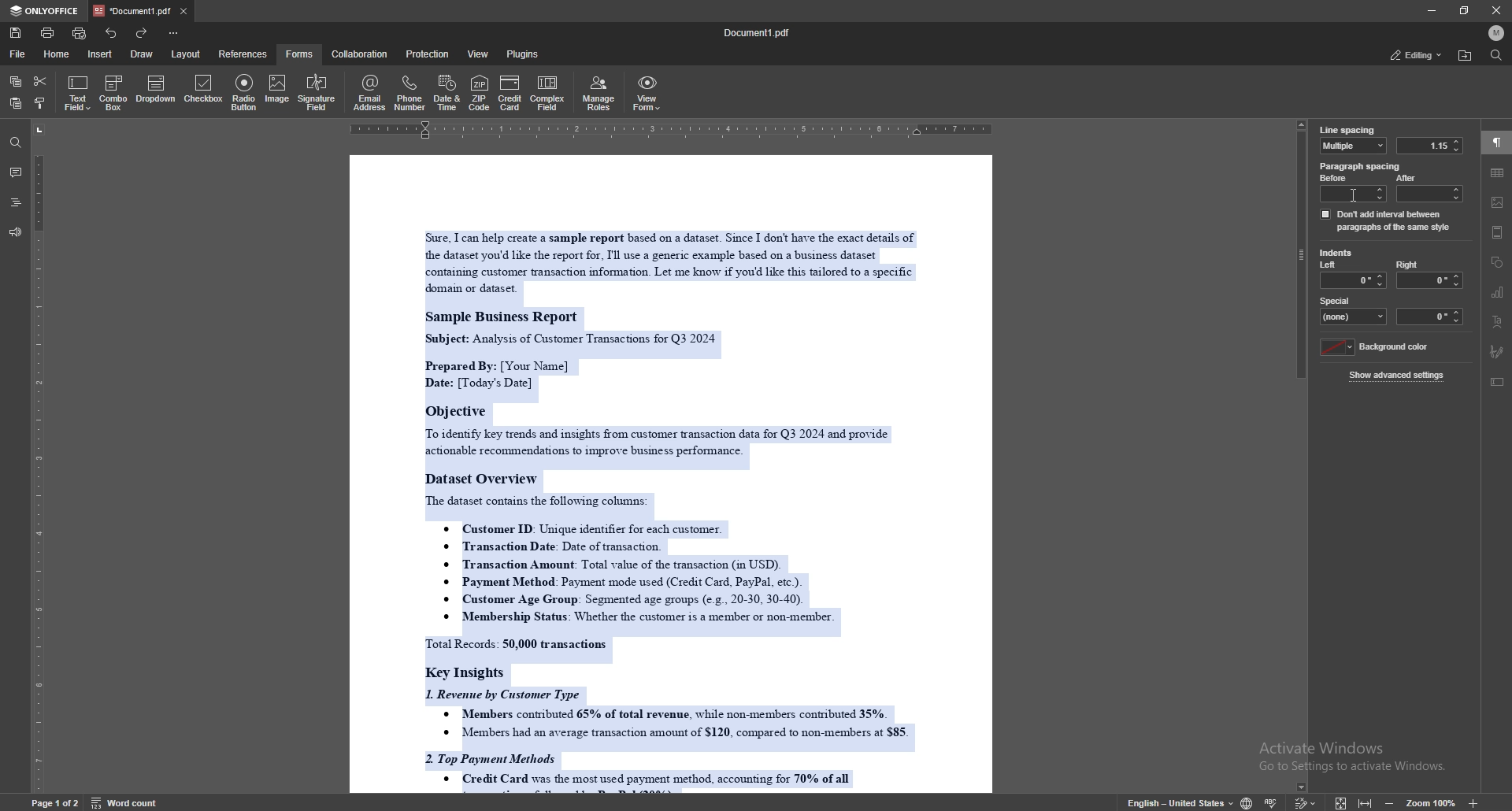 This screenshot has height=811, width=1512. Describe the element at coordinates (156, 91) in the screenshot. I see `dropdown` at that location.